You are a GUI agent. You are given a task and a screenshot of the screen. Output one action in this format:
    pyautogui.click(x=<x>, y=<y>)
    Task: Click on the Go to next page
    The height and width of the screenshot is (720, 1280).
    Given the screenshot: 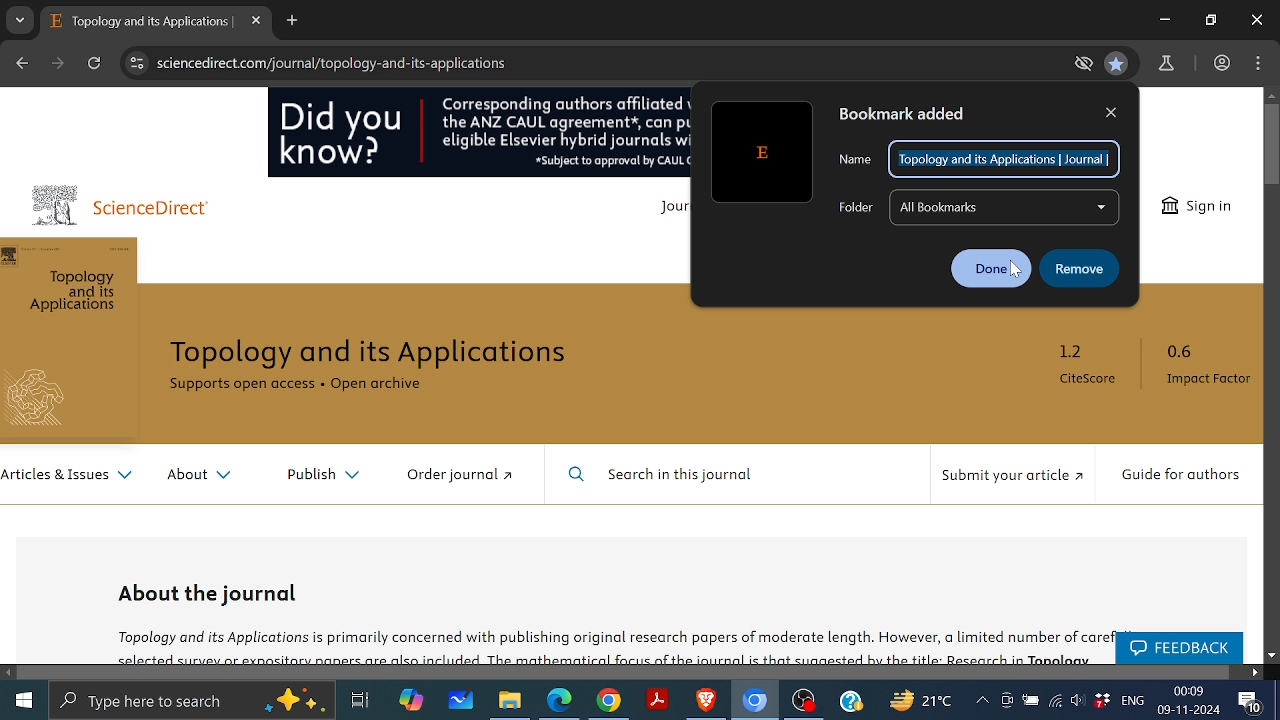 What is the action you would take?
    pyautogui.click(x=60, y=63)
    